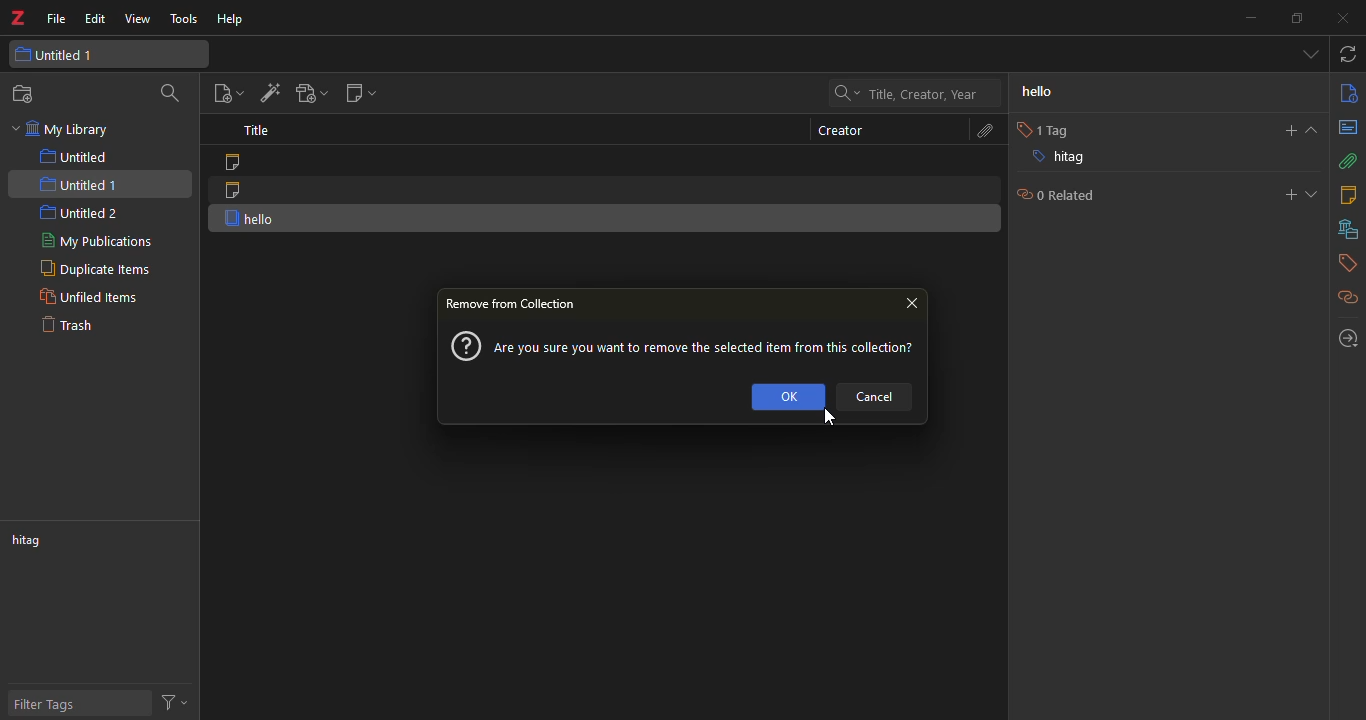  I want to click on note, so click(235, 189).